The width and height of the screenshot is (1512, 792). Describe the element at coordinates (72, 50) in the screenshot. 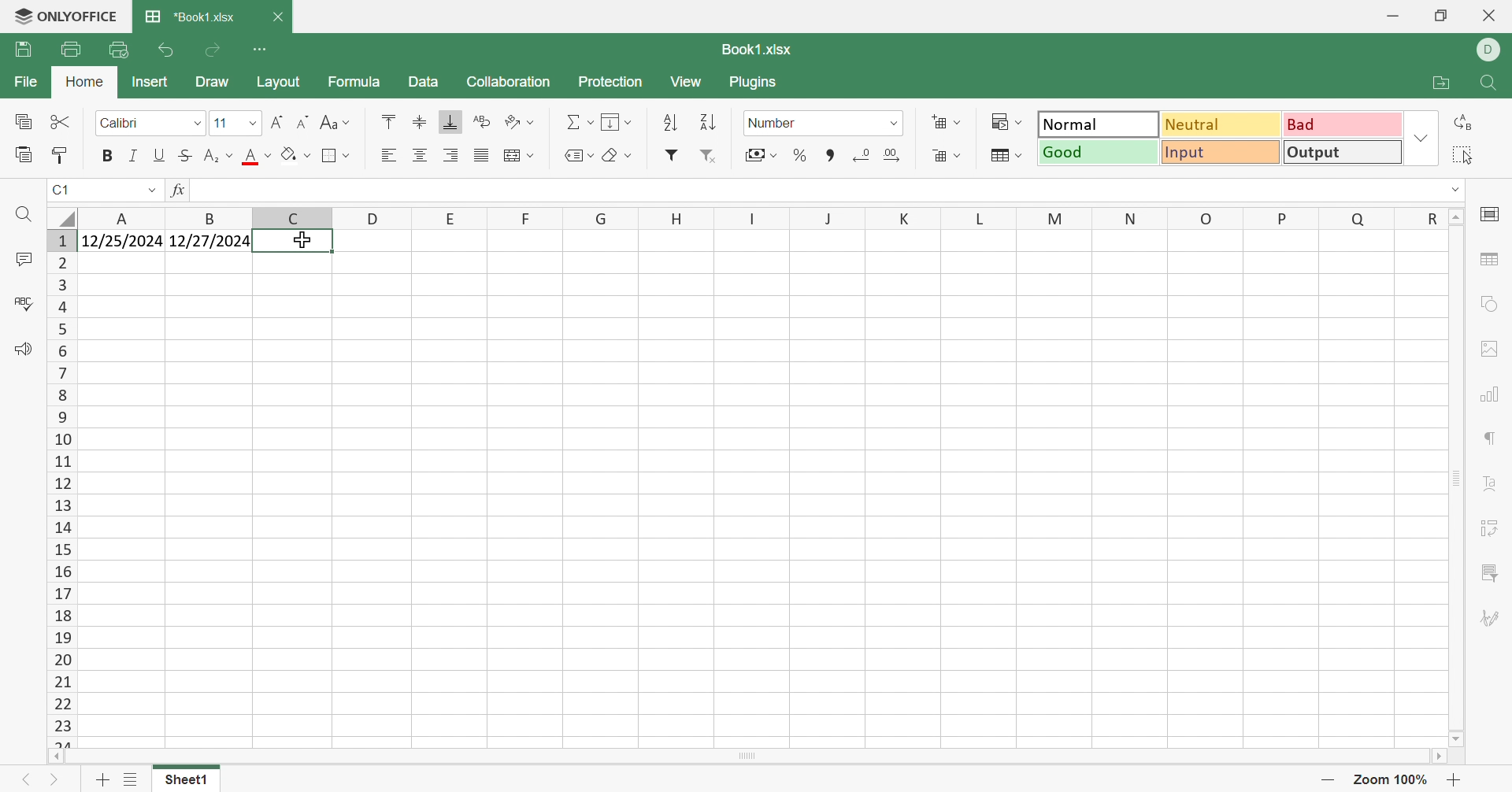

I see `Print` at that location.